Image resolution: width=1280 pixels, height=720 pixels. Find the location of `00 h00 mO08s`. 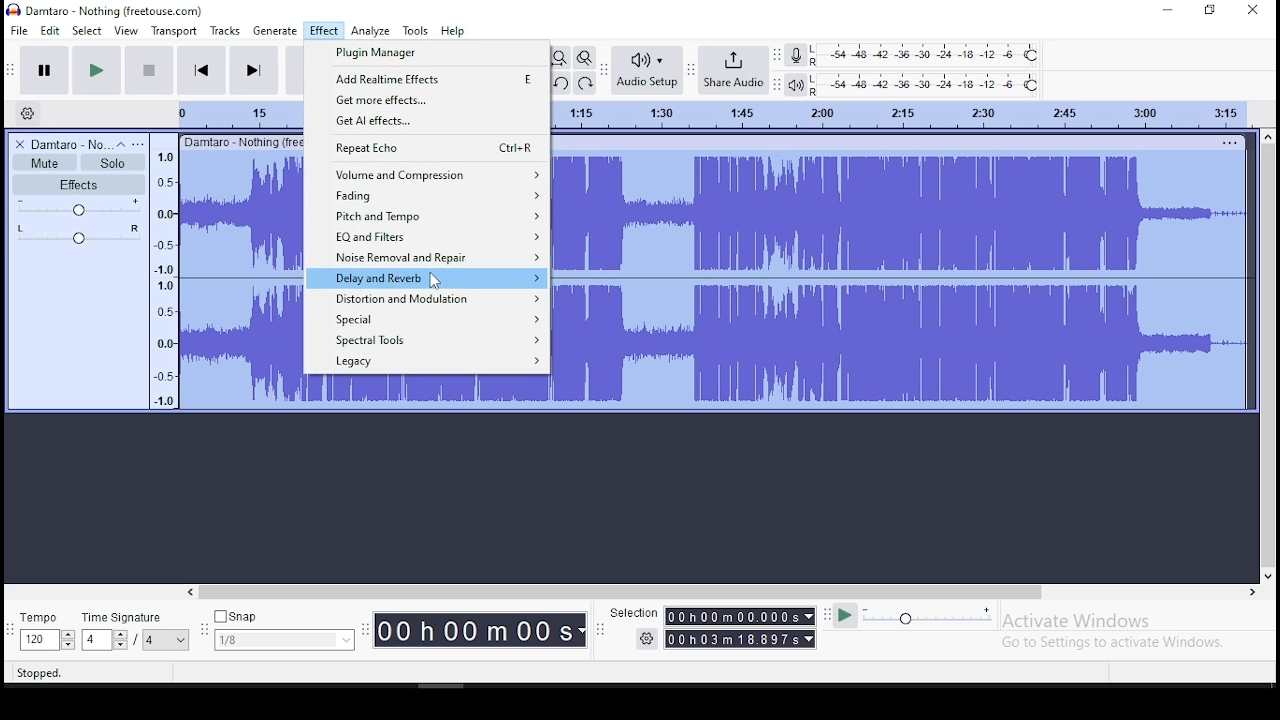

00 h00 mO08s is located at coordinates (473, 631).